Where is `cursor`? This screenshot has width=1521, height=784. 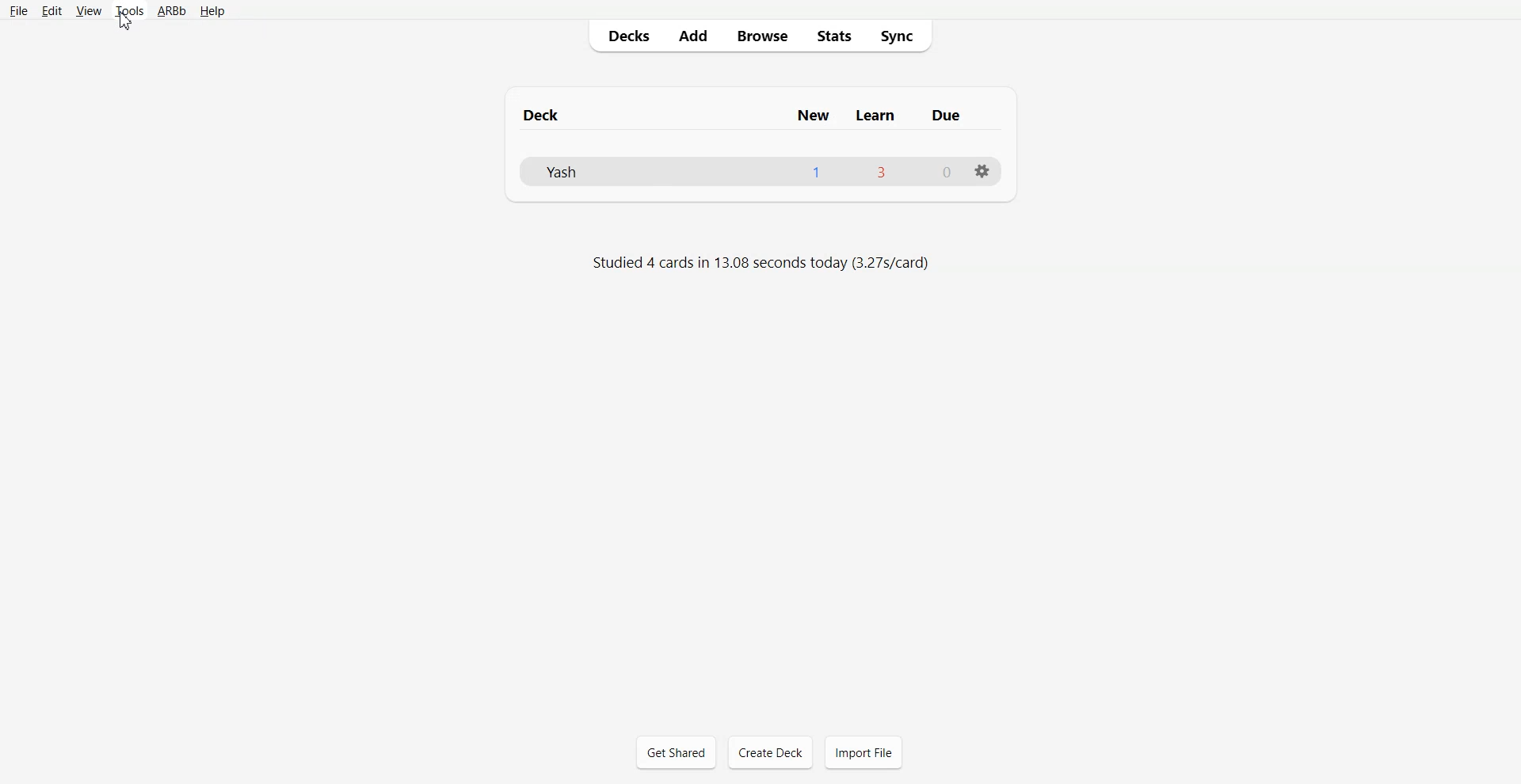
cursor is located at coordinates (134, 27).